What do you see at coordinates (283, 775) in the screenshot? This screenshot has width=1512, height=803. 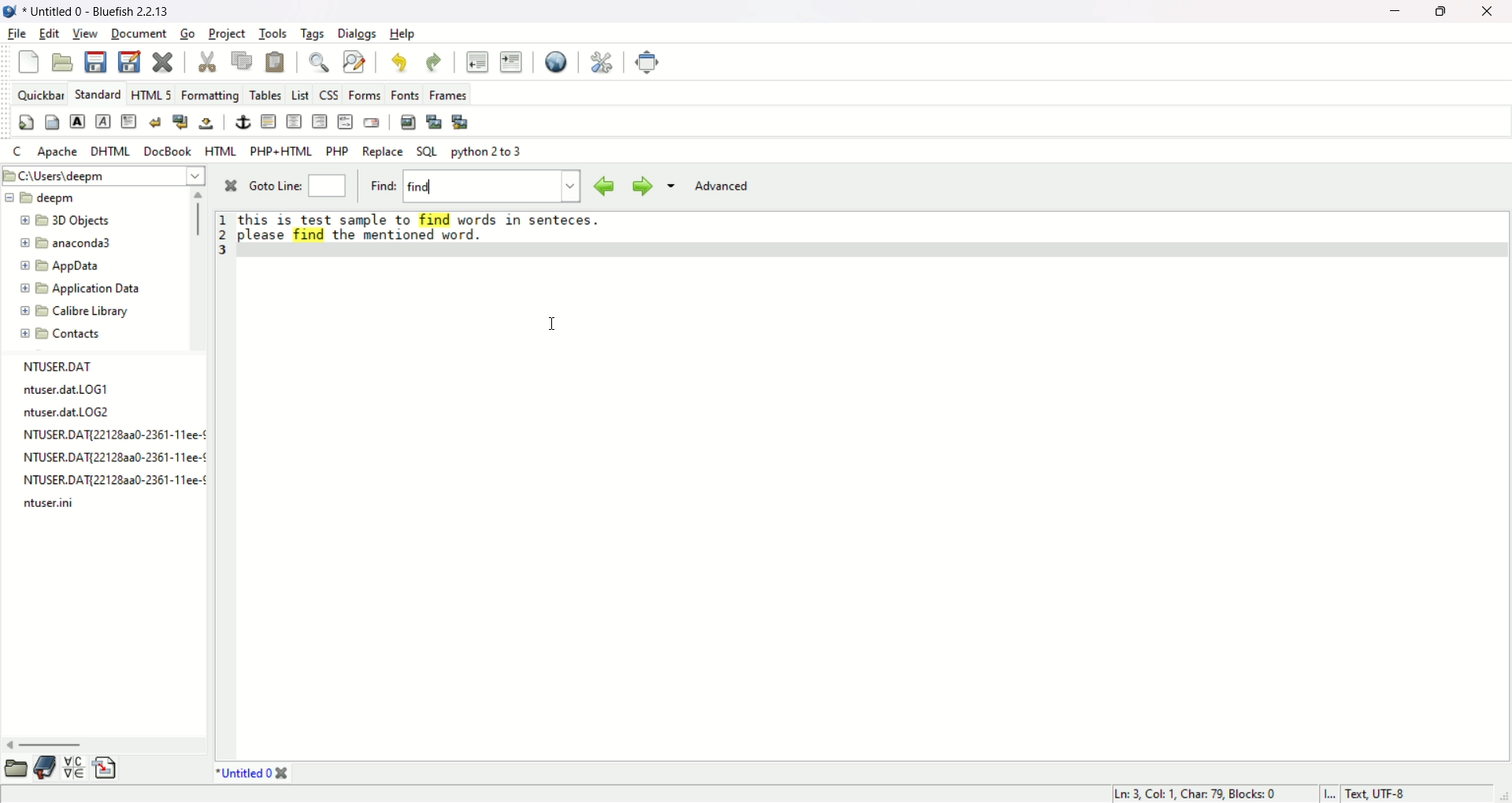 I see `close current tab` at bounding box center [283, 775].